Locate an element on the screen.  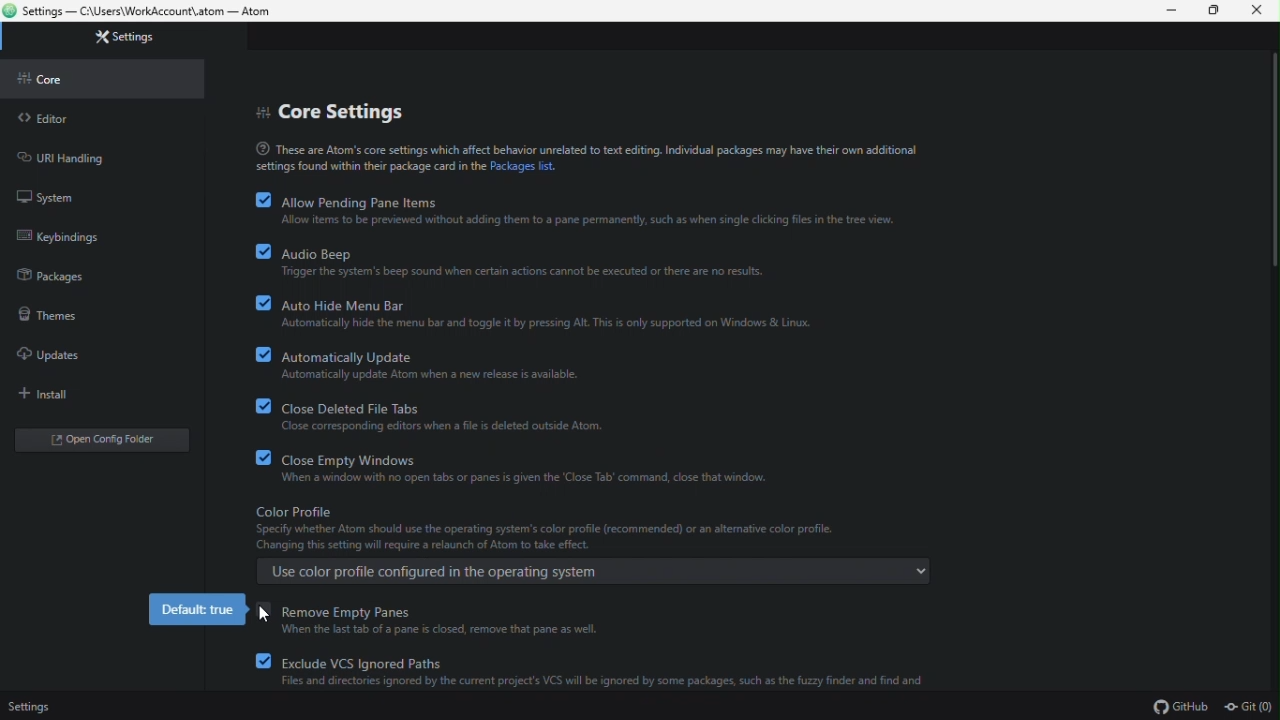
system is located at coordinates (48, 196).